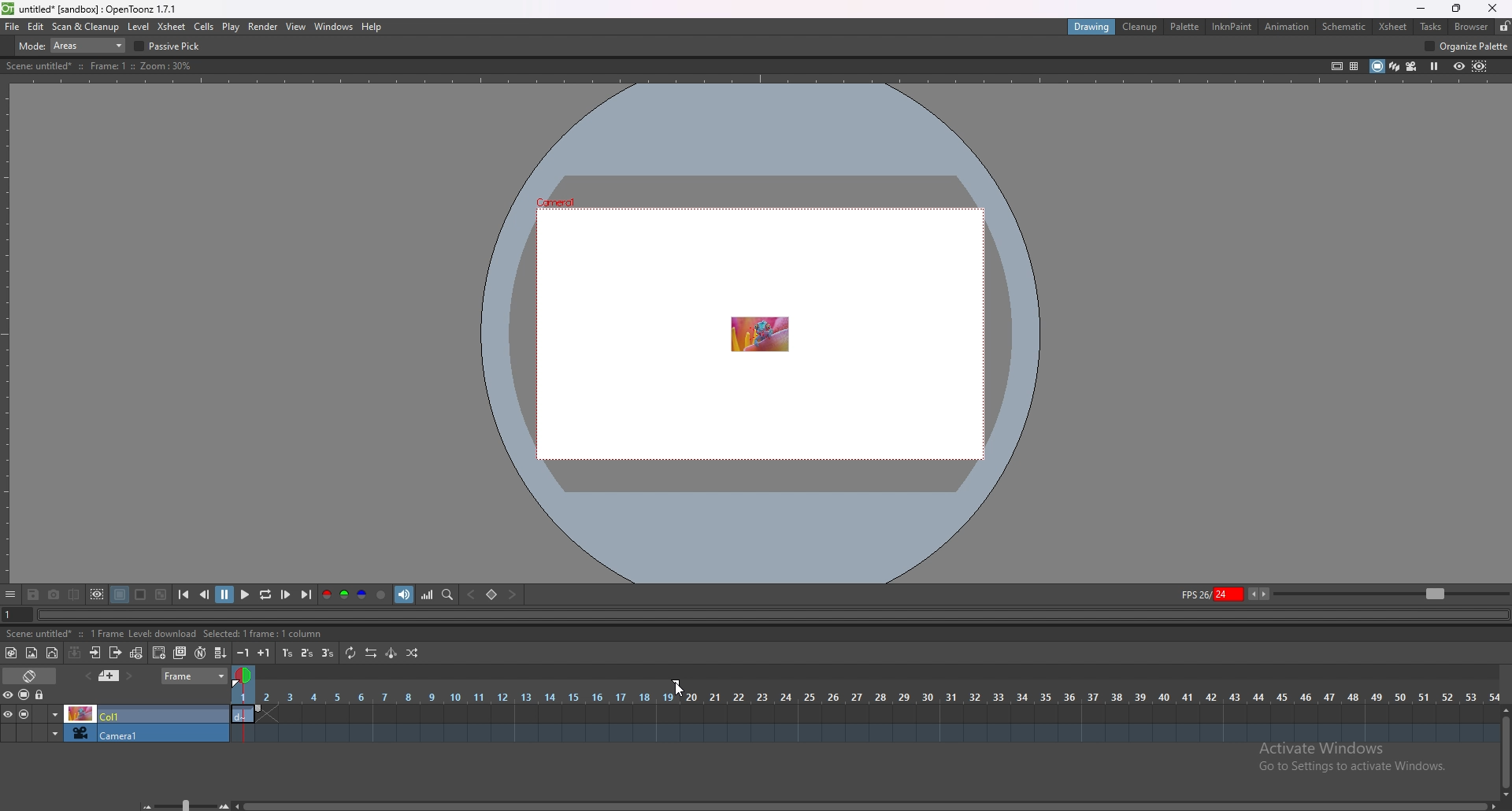  I want to click on collapse, so click(75, 653).